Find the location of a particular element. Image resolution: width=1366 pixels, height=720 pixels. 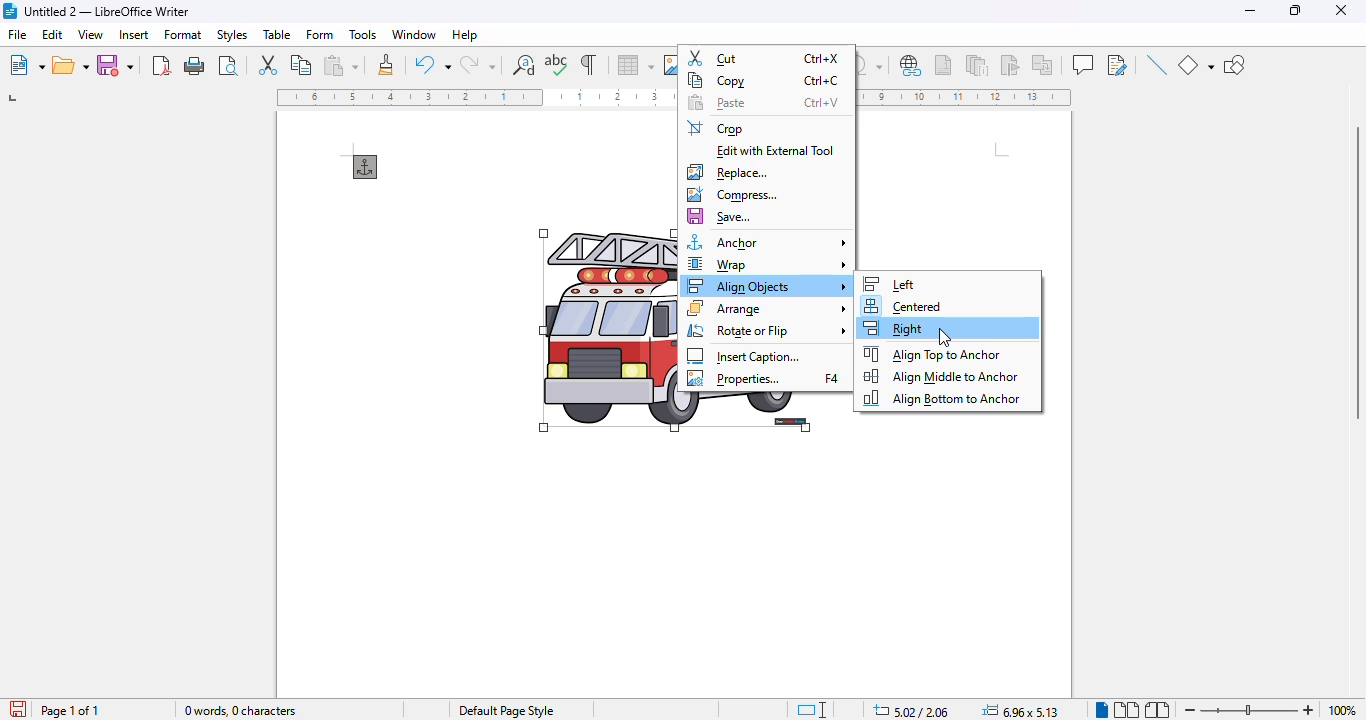

table is located at coordinates (635, 65).